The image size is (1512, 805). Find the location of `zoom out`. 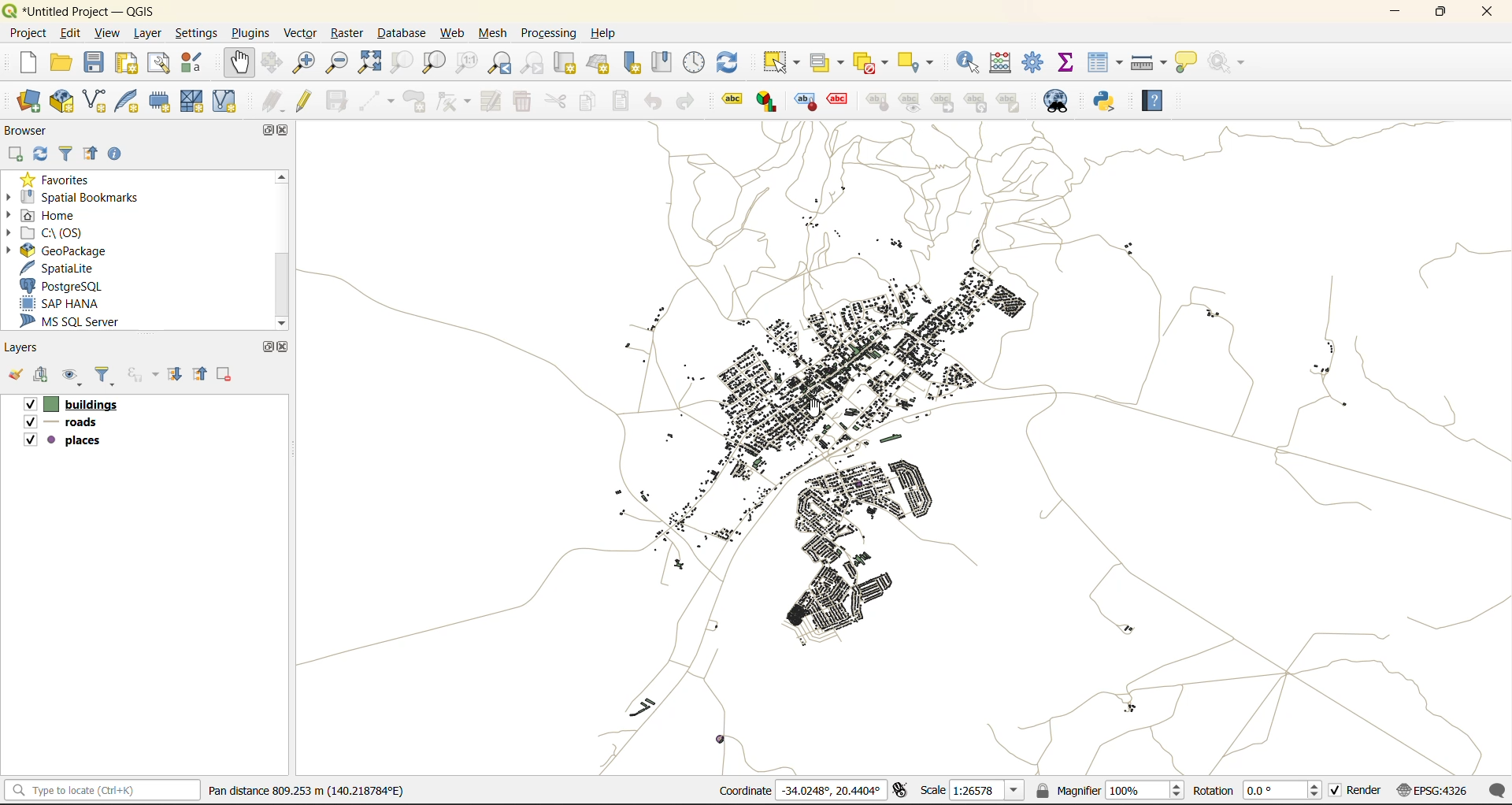

zoom out is located at coordinates (338, 63).